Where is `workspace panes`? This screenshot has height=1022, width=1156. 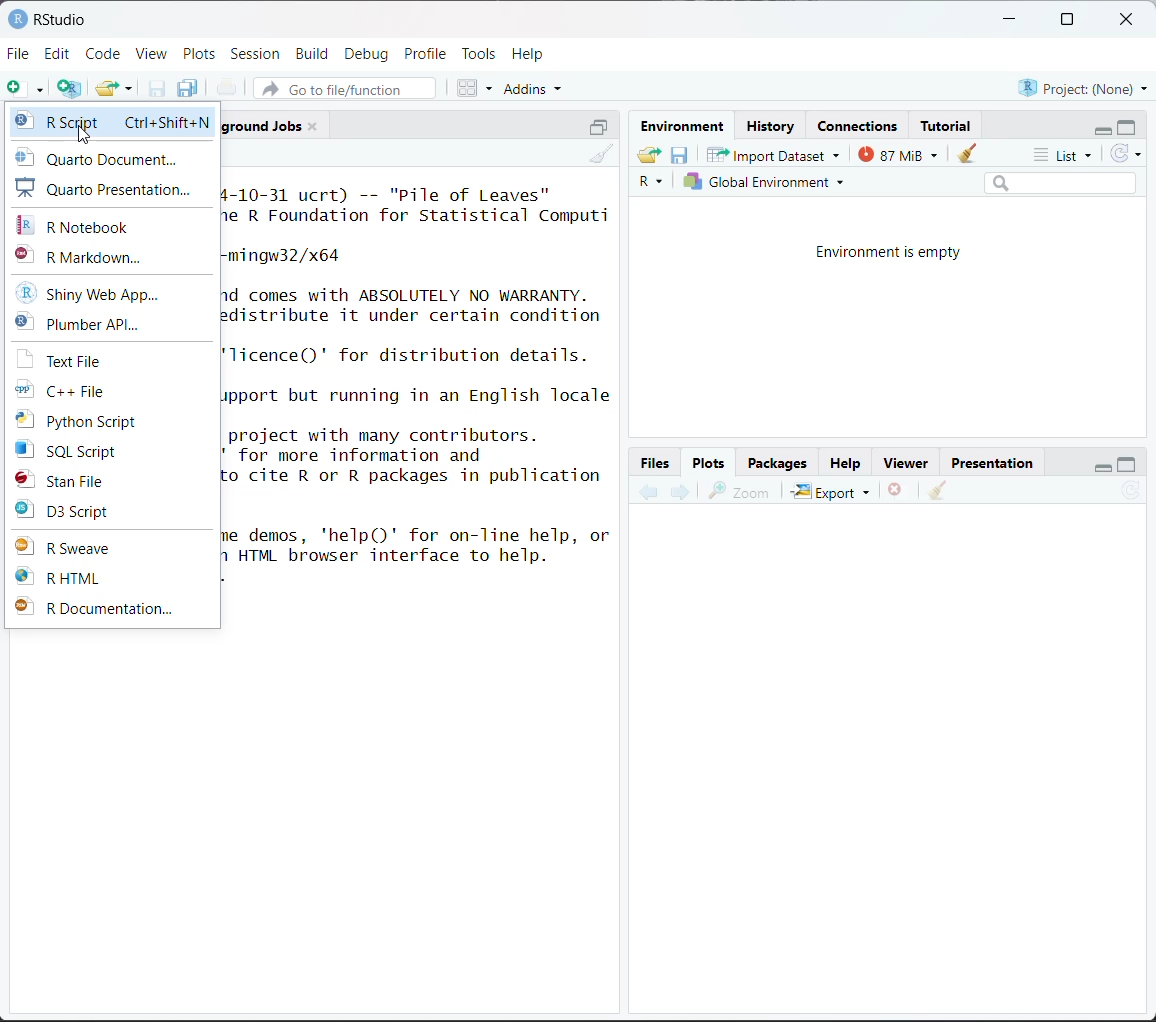 workspace panes is located at coordinates (476, 87).